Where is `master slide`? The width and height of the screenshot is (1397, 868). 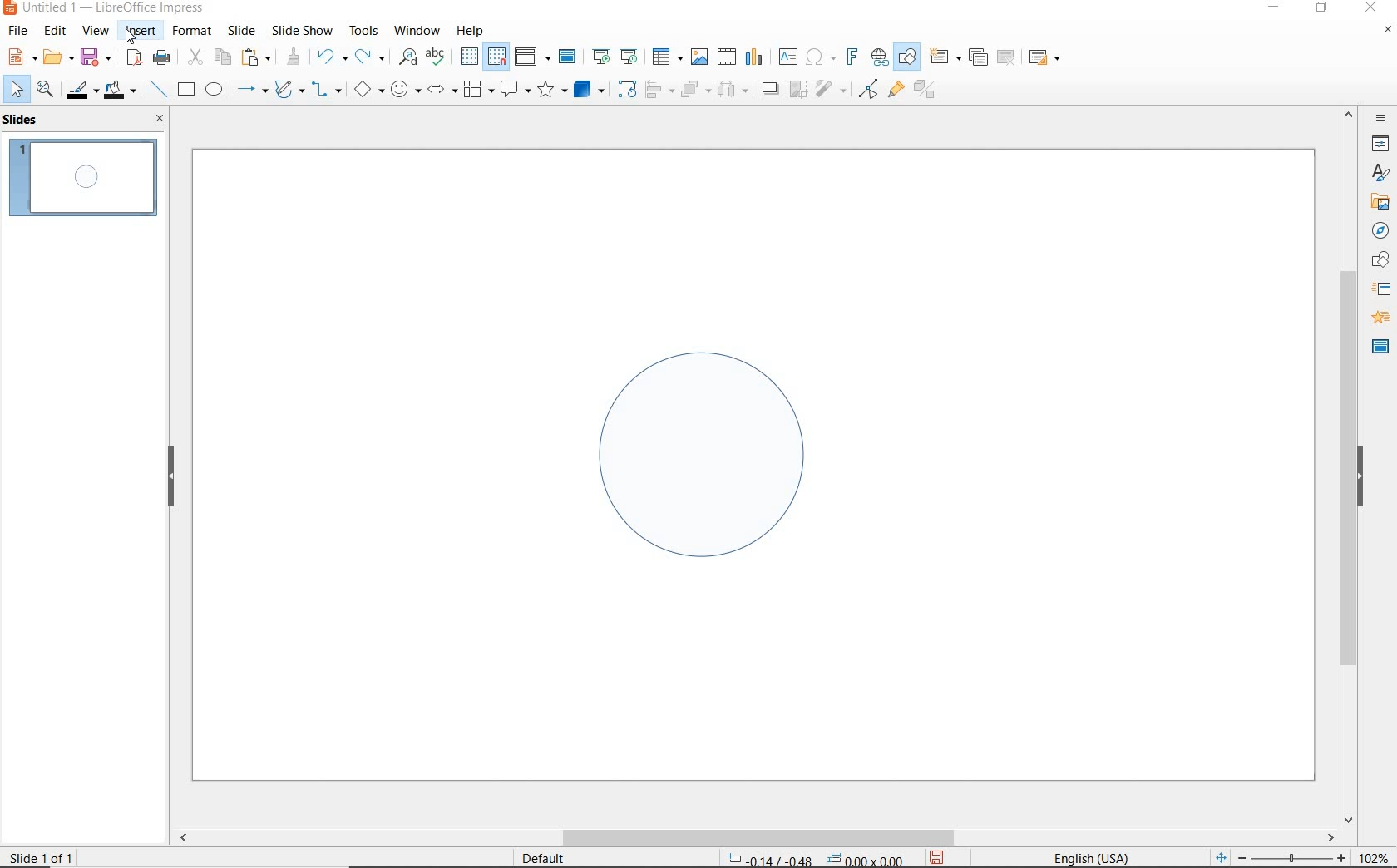 master slide is located at coordinates (1380, 345).